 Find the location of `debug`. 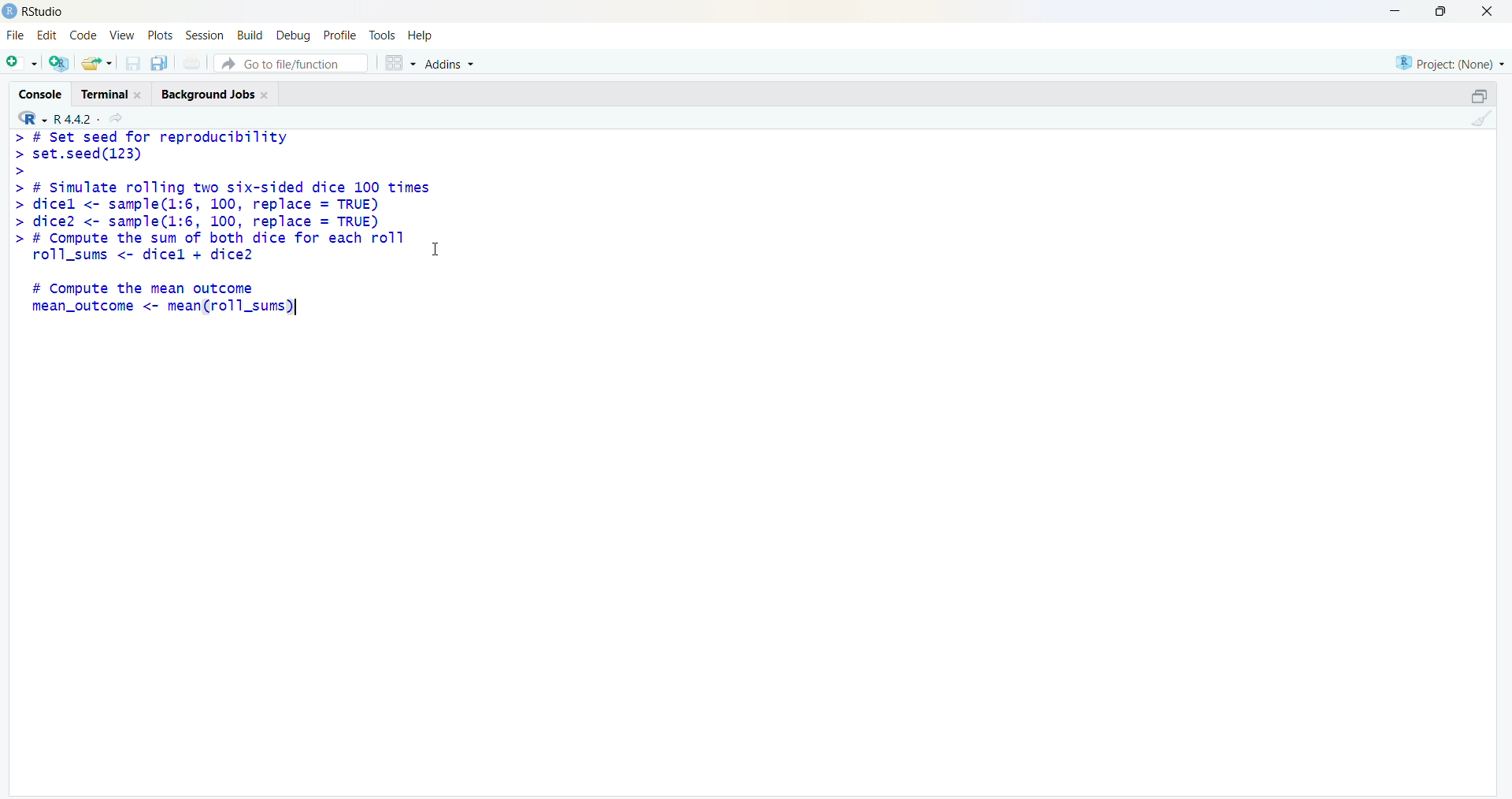

debug is located at coordinates (292, 36).